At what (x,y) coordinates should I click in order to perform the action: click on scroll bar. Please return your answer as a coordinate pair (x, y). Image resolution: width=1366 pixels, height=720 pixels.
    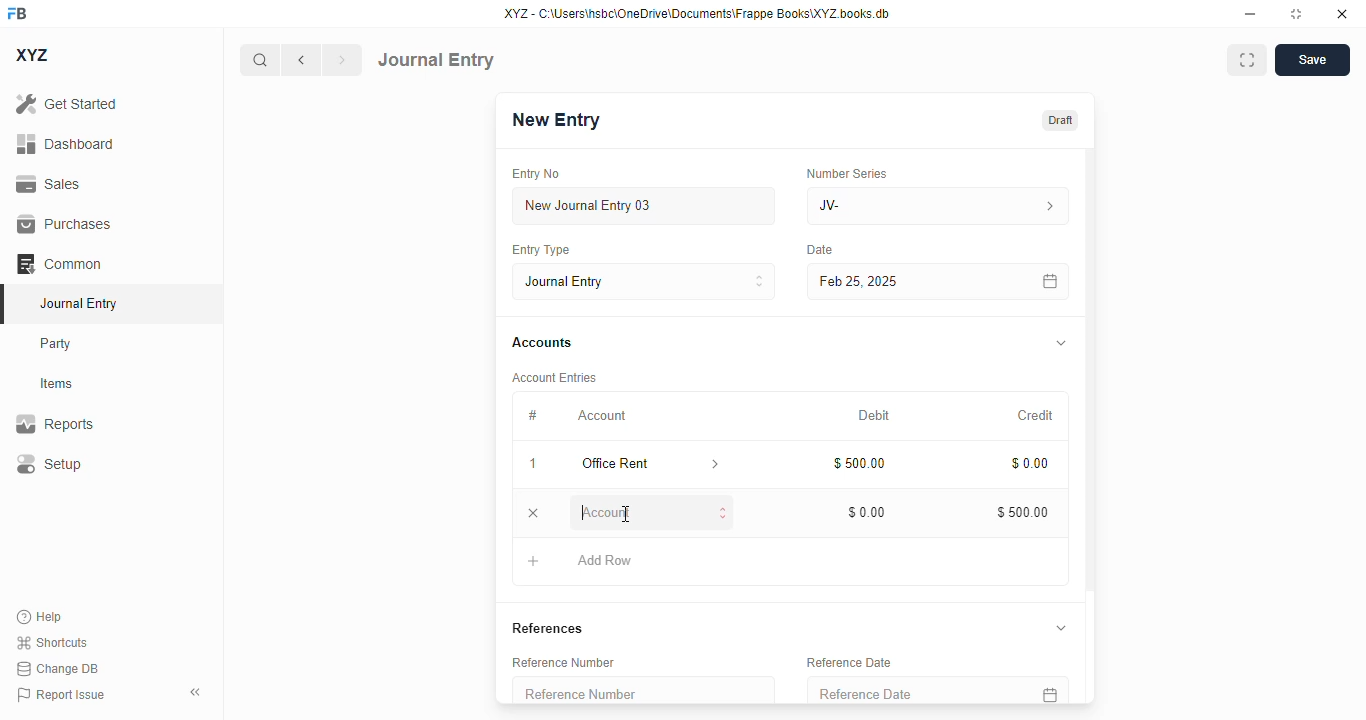
    Looking at the image, I should click on (1091, 424).